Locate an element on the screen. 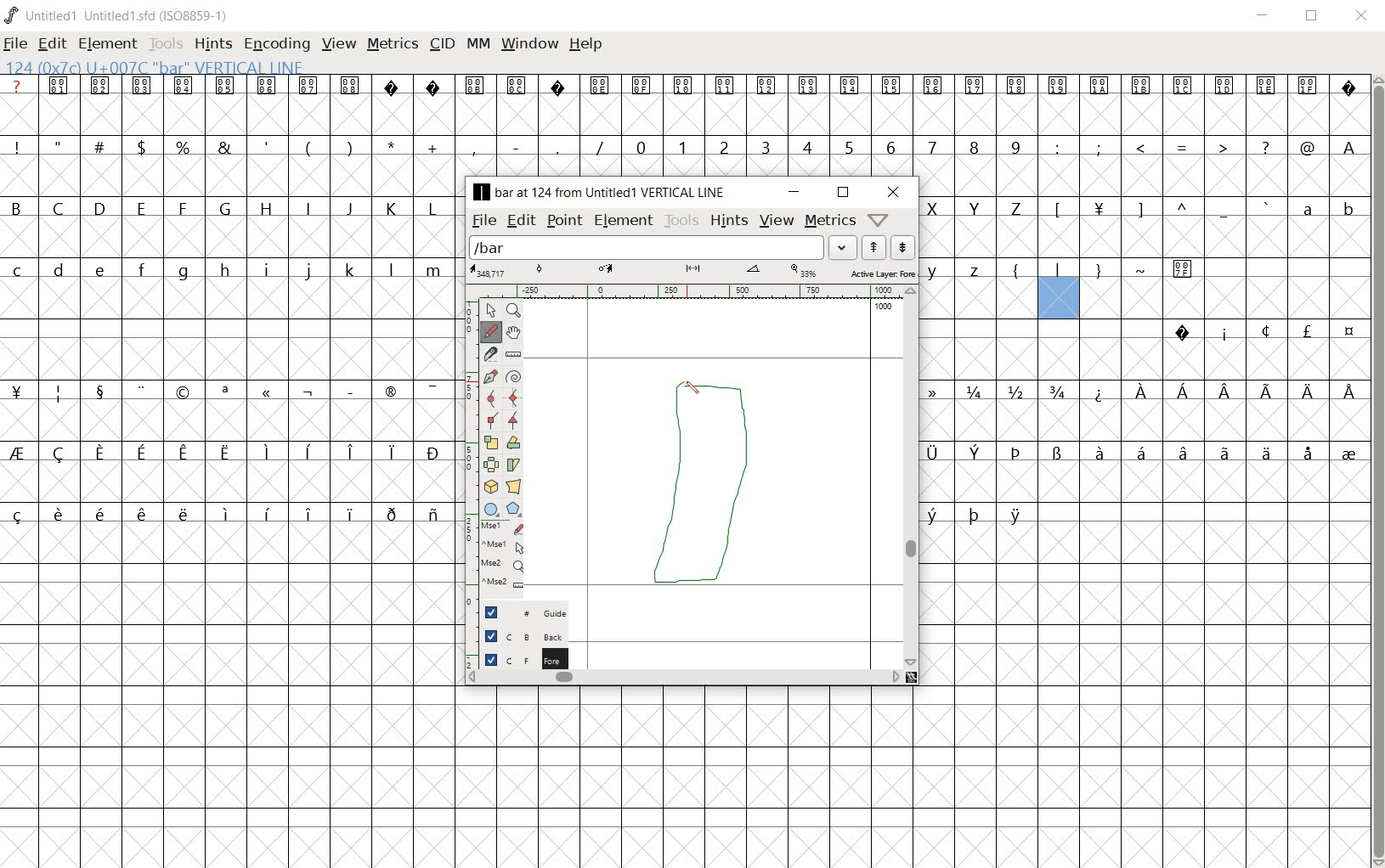 This screenshot has width=1385, height=868. scrollbar is located at coordinates (1377, 471).